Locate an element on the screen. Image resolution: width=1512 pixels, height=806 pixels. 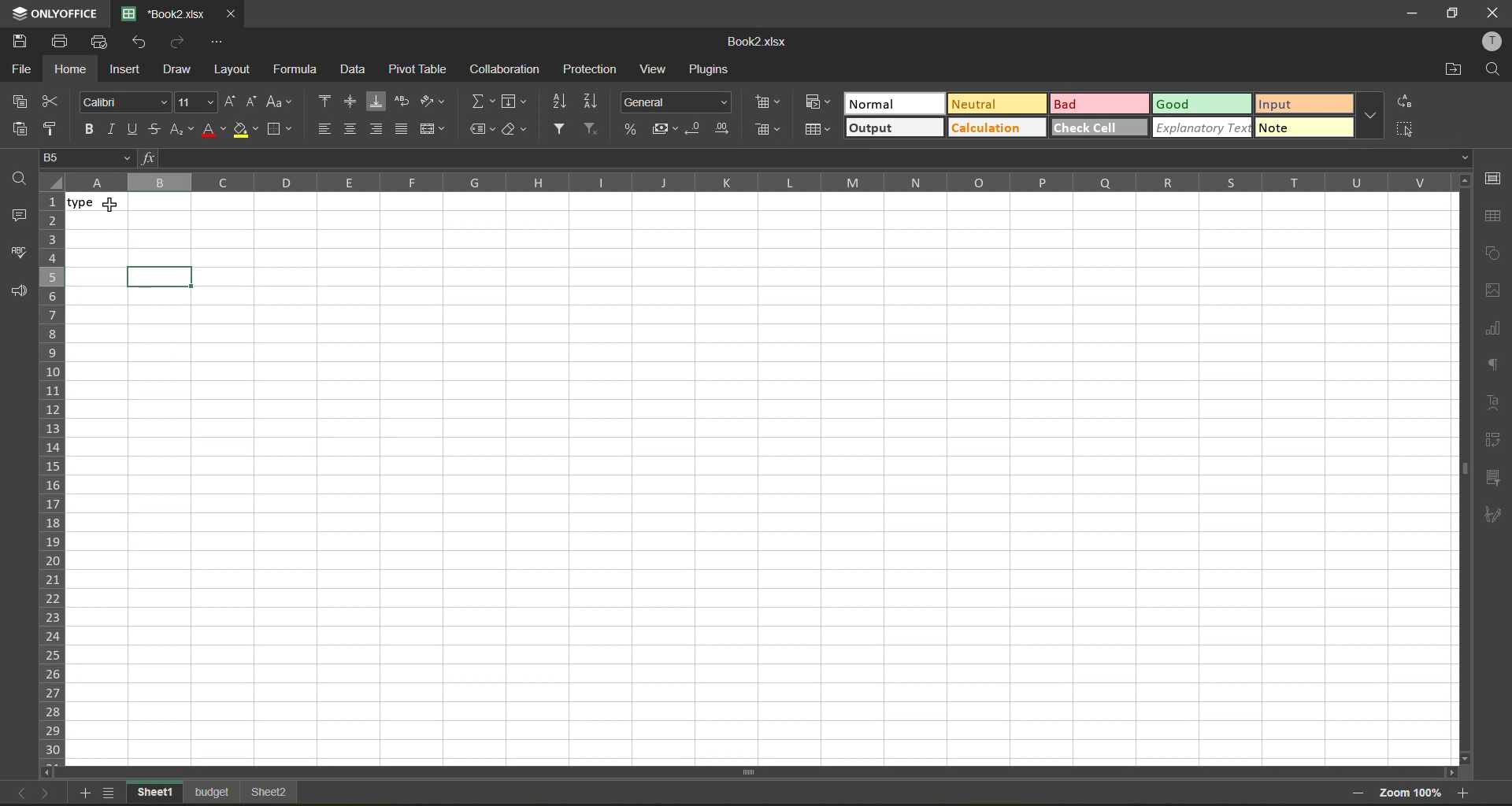
align bottom is located at coordinates (380, 102).